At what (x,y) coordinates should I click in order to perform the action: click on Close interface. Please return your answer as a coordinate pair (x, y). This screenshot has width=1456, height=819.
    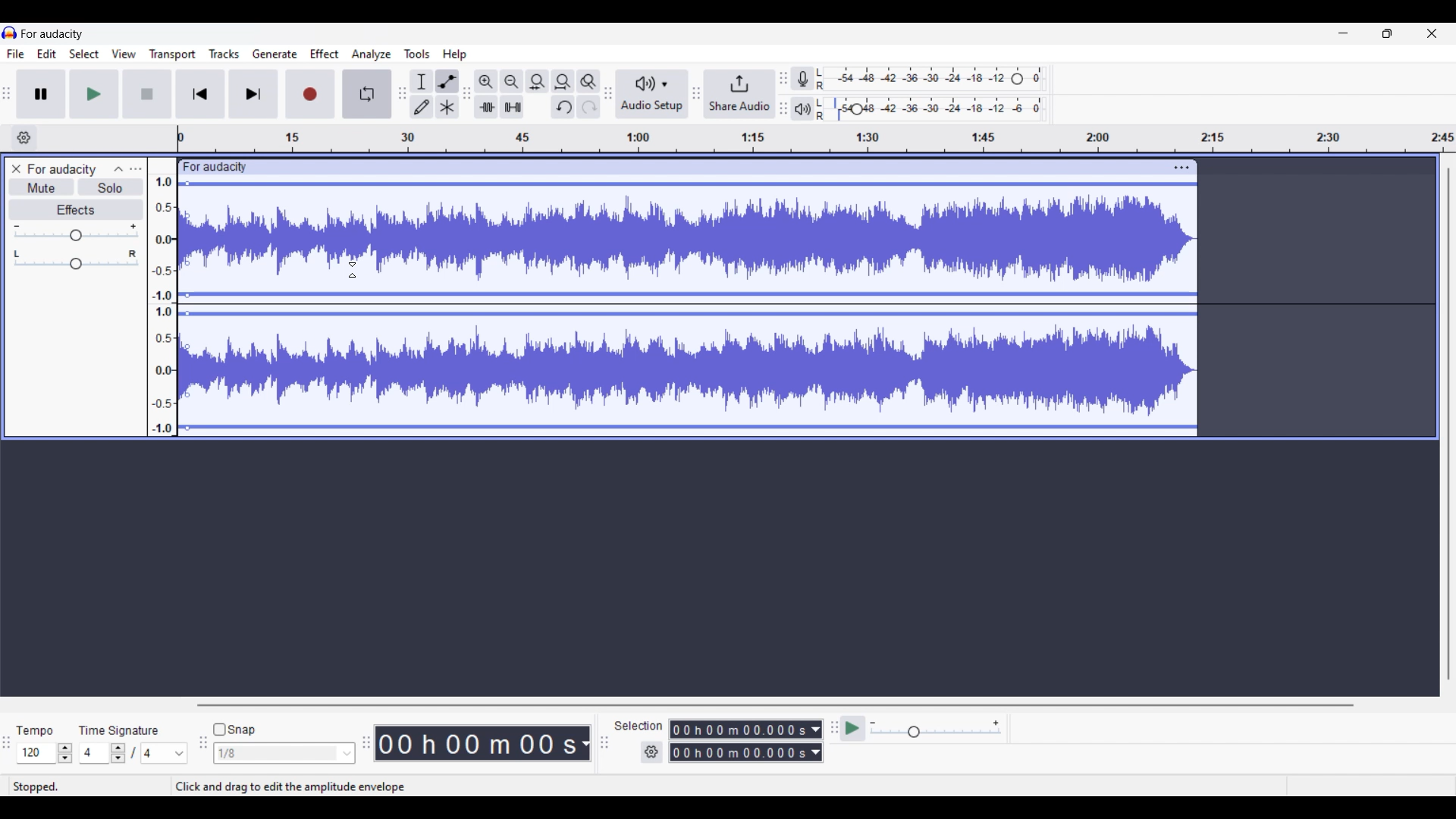
    Looking at the image, I should click on (1432, 33).